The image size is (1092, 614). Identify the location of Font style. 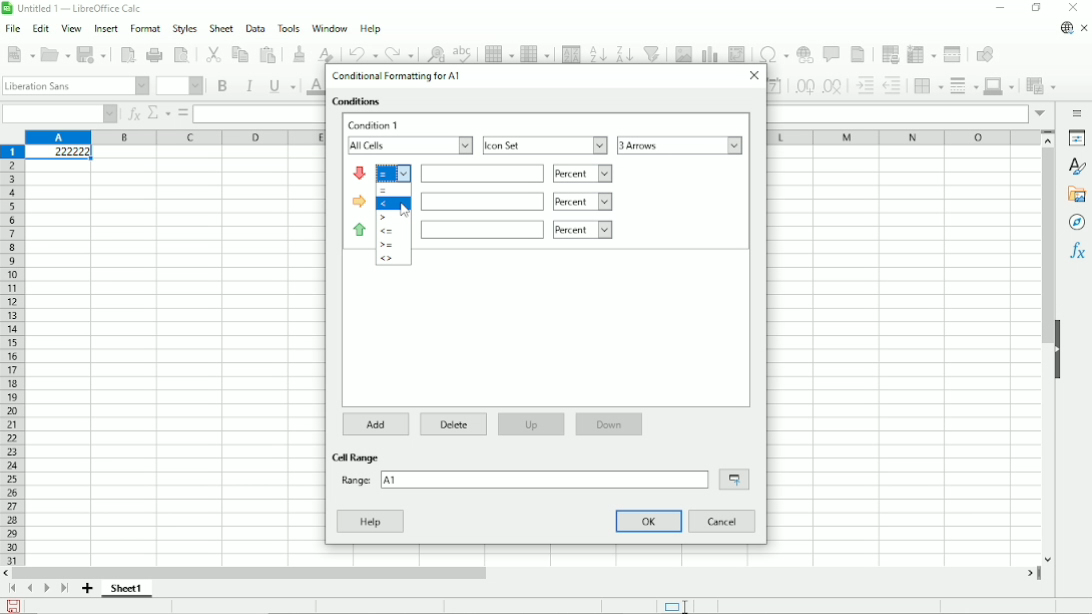
(75, 86).